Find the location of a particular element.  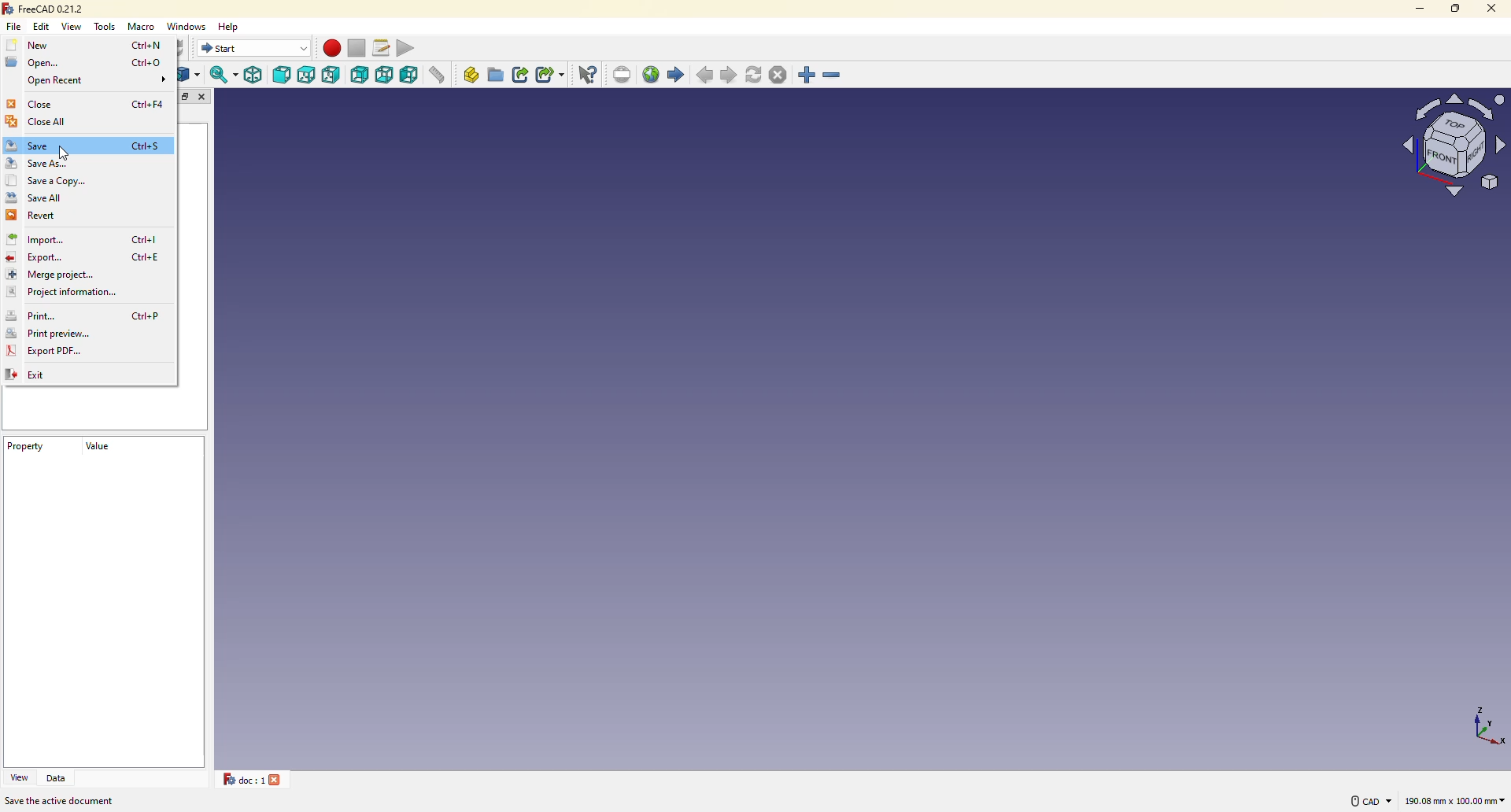

save a copy is located at coordinates (46, 181).